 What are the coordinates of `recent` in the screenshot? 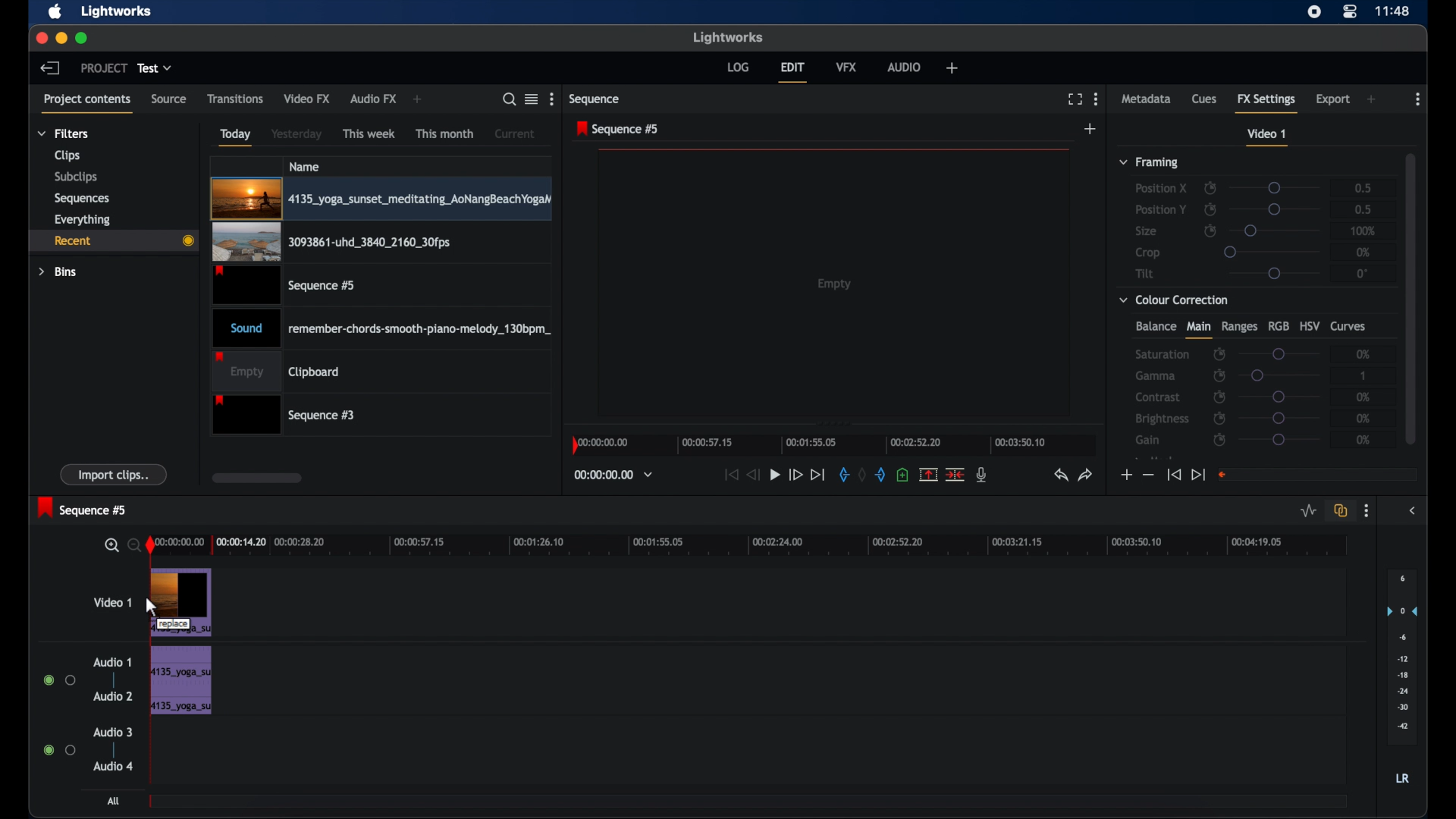 It's located at (113, 240).